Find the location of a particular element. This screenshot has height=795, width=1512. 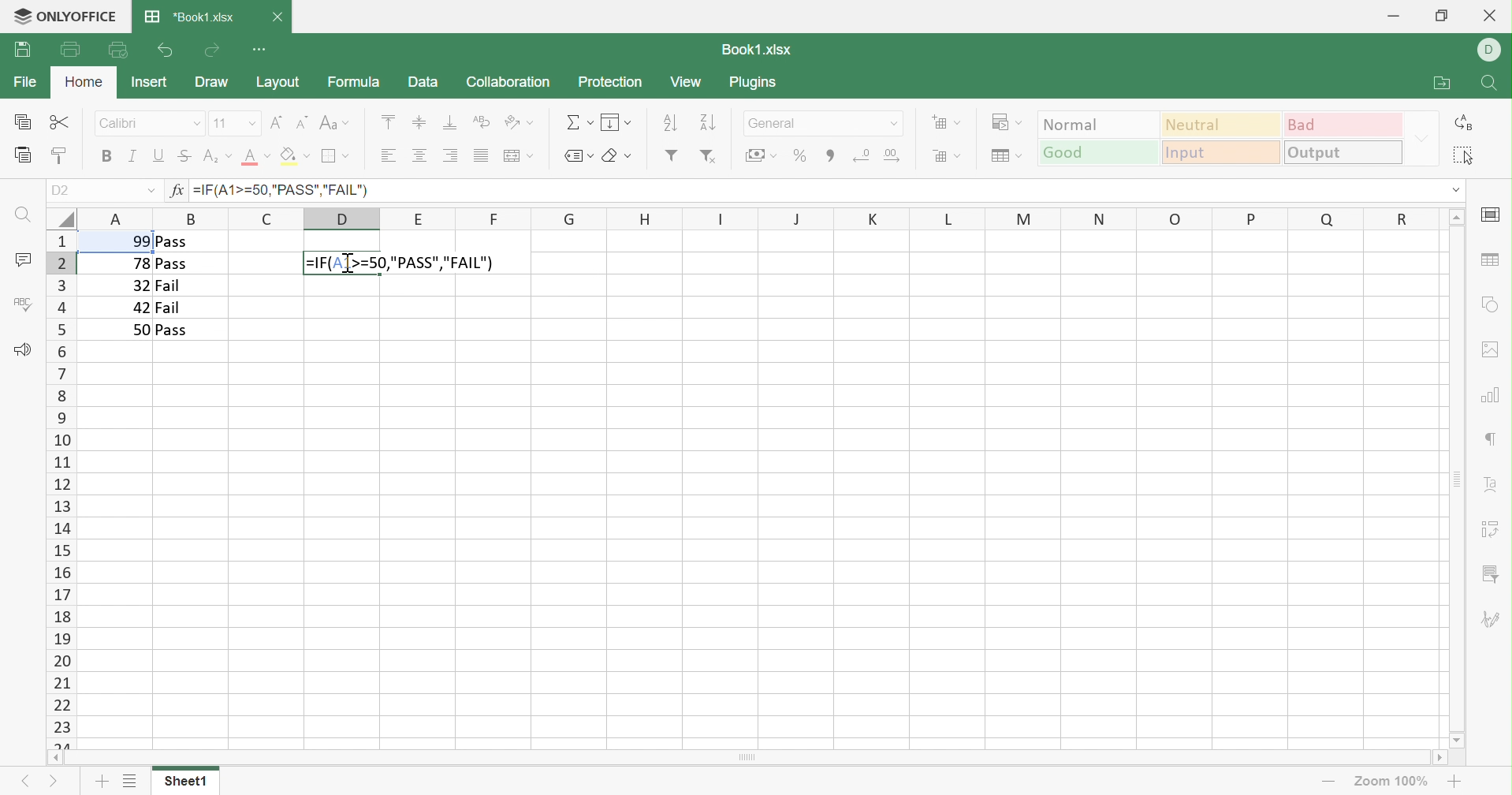

List of sheets is located at coordinates (128, 782).